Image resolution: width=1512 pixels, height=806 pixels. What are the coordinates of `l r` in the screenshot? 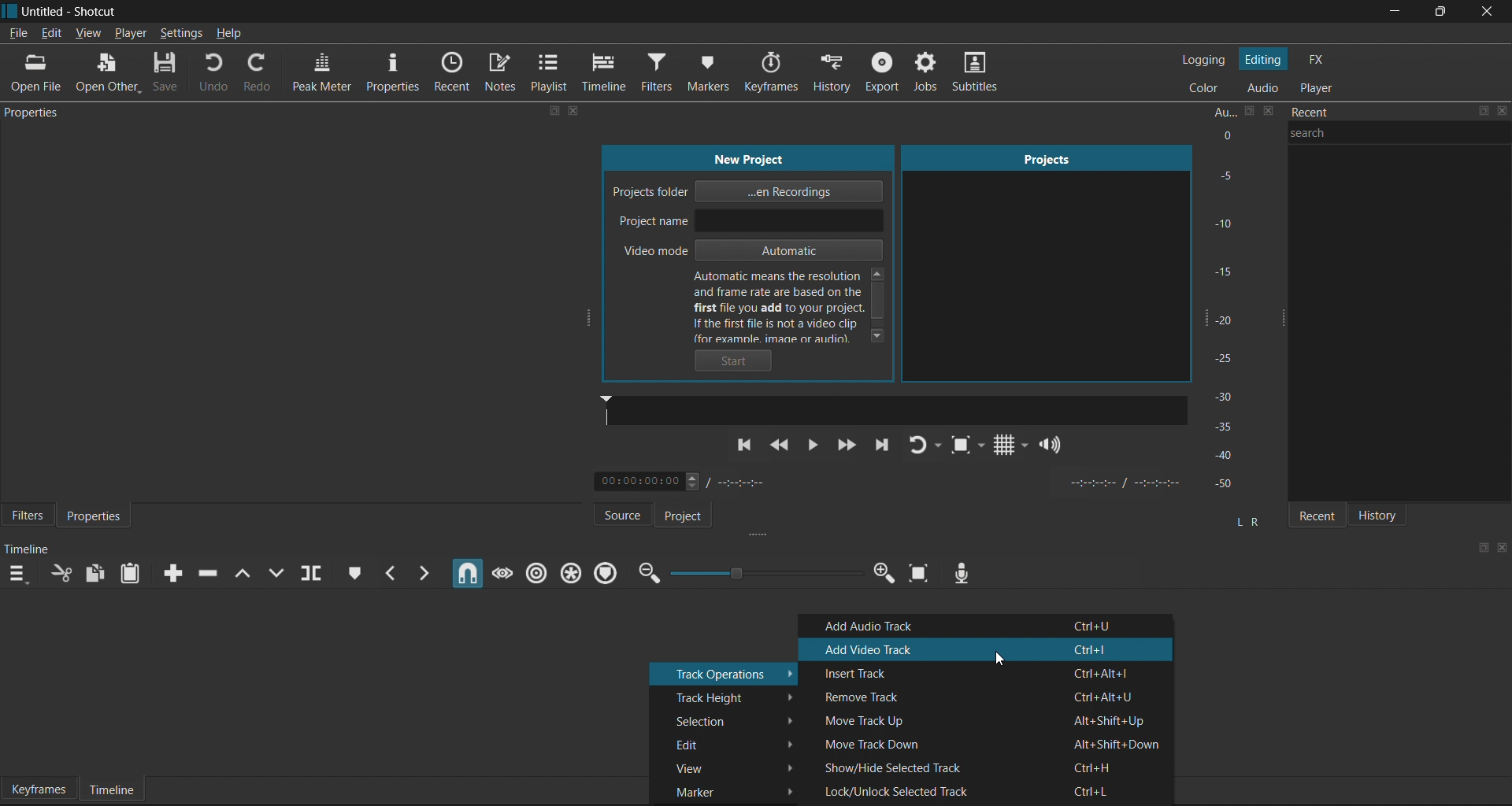 It's located at (1245, 516).